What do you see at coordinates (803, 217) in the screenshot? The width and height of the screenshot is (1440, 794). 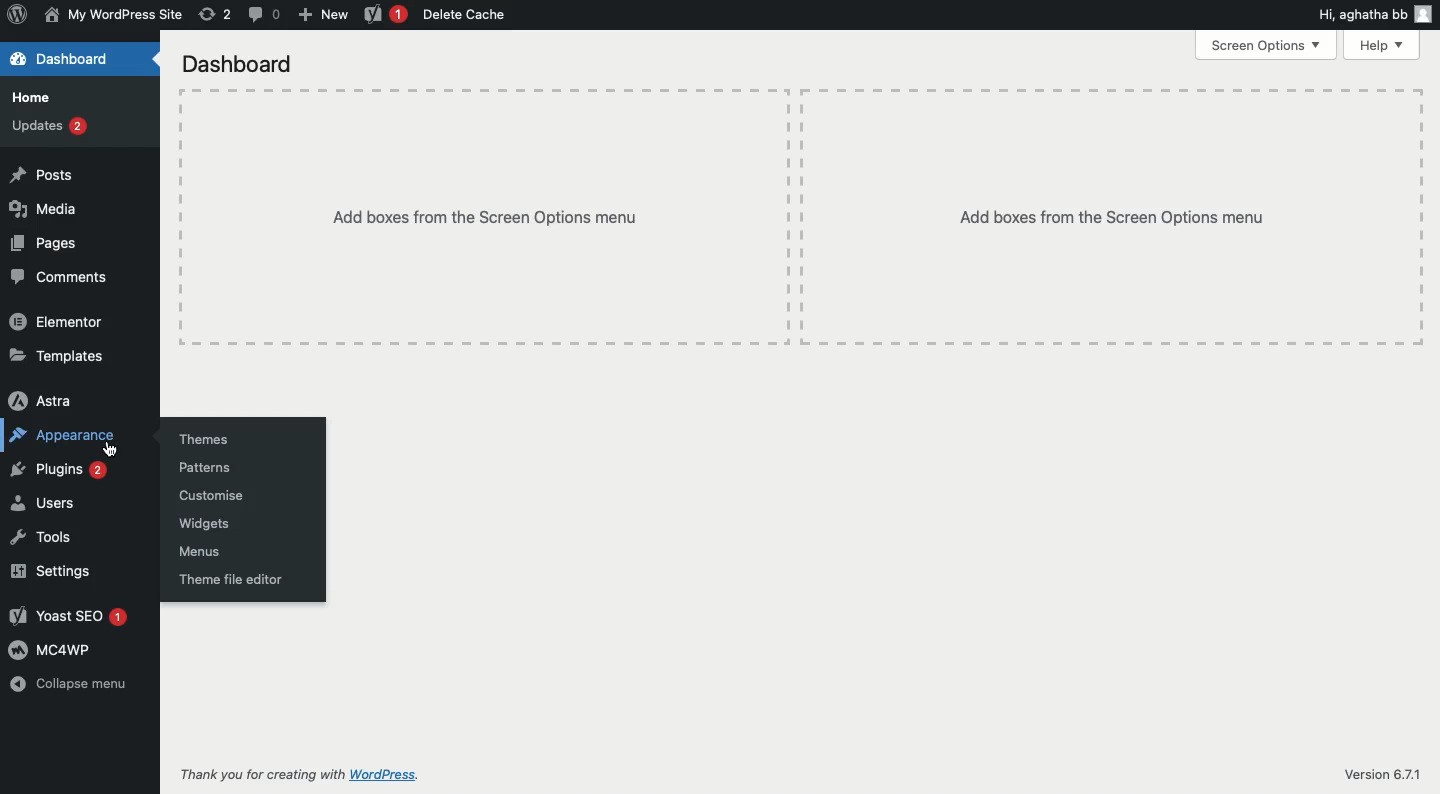 I see `Add boxes from the screen options menu` at bounding box center [803, 217].